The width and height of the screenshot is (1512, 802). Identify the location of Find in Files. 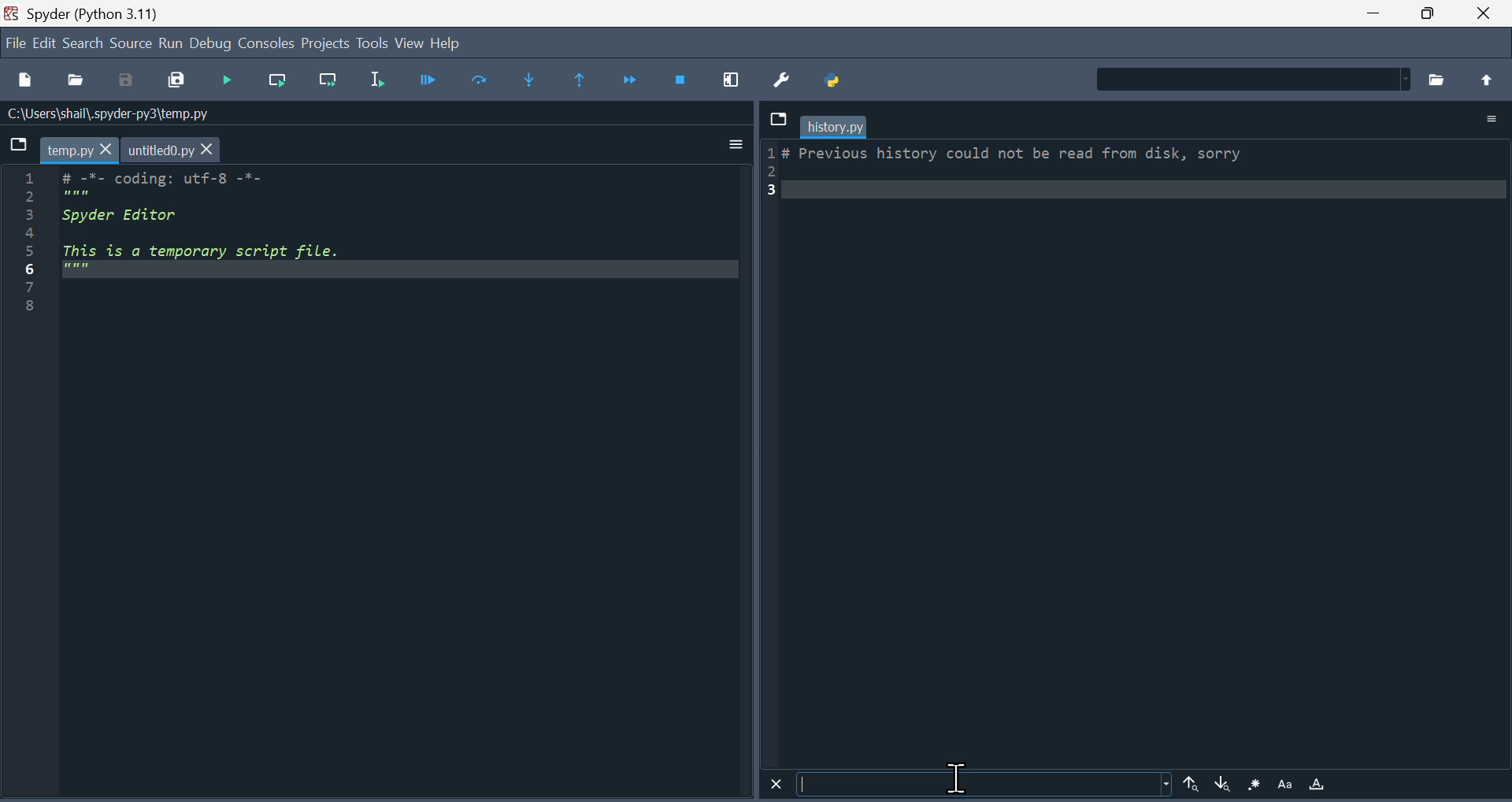
(1251, 79).